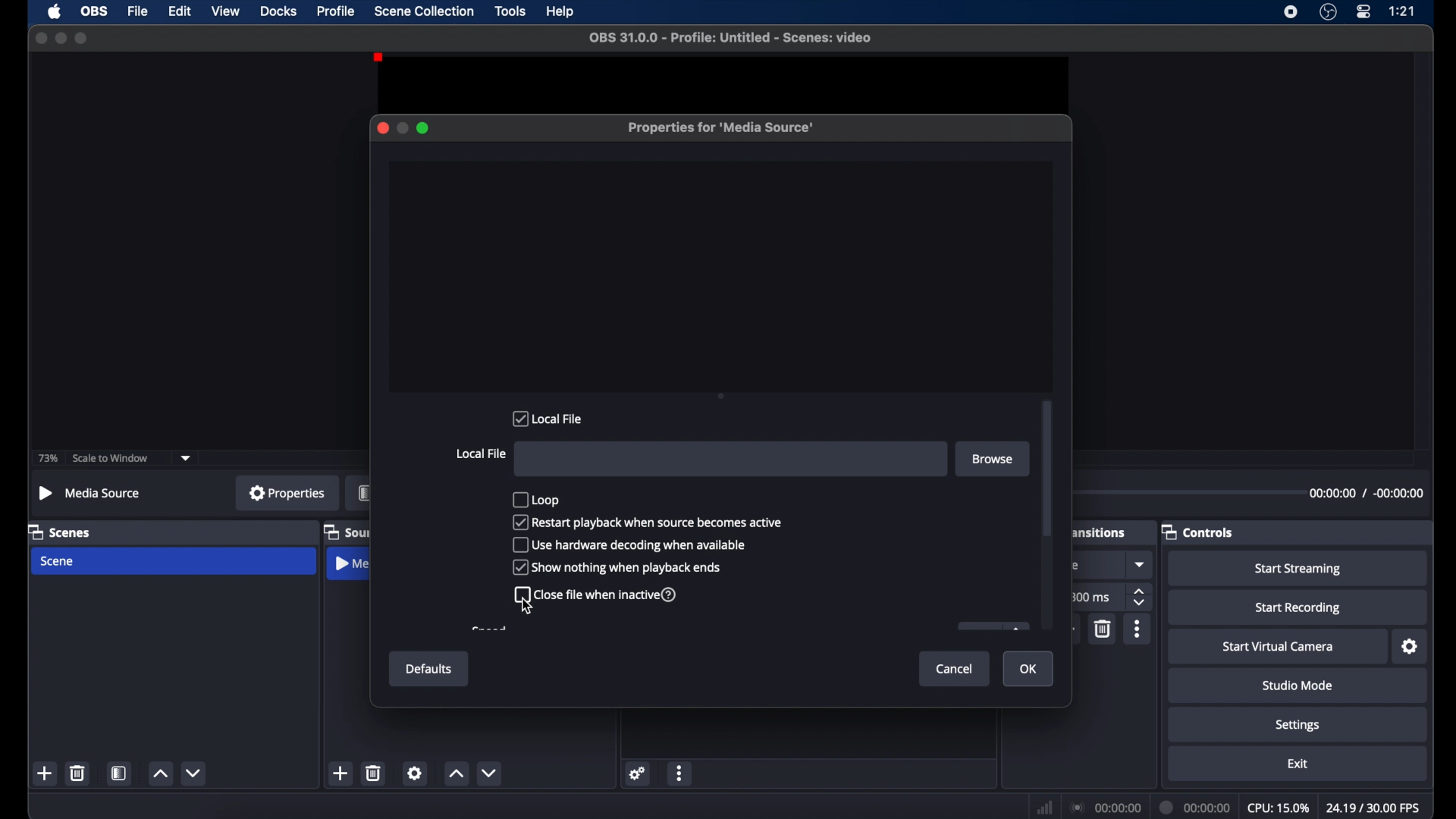 The image size is (1456, 819). Describe the element at coordinates (353, 563) in the screenshot. I see `media source` at that location.